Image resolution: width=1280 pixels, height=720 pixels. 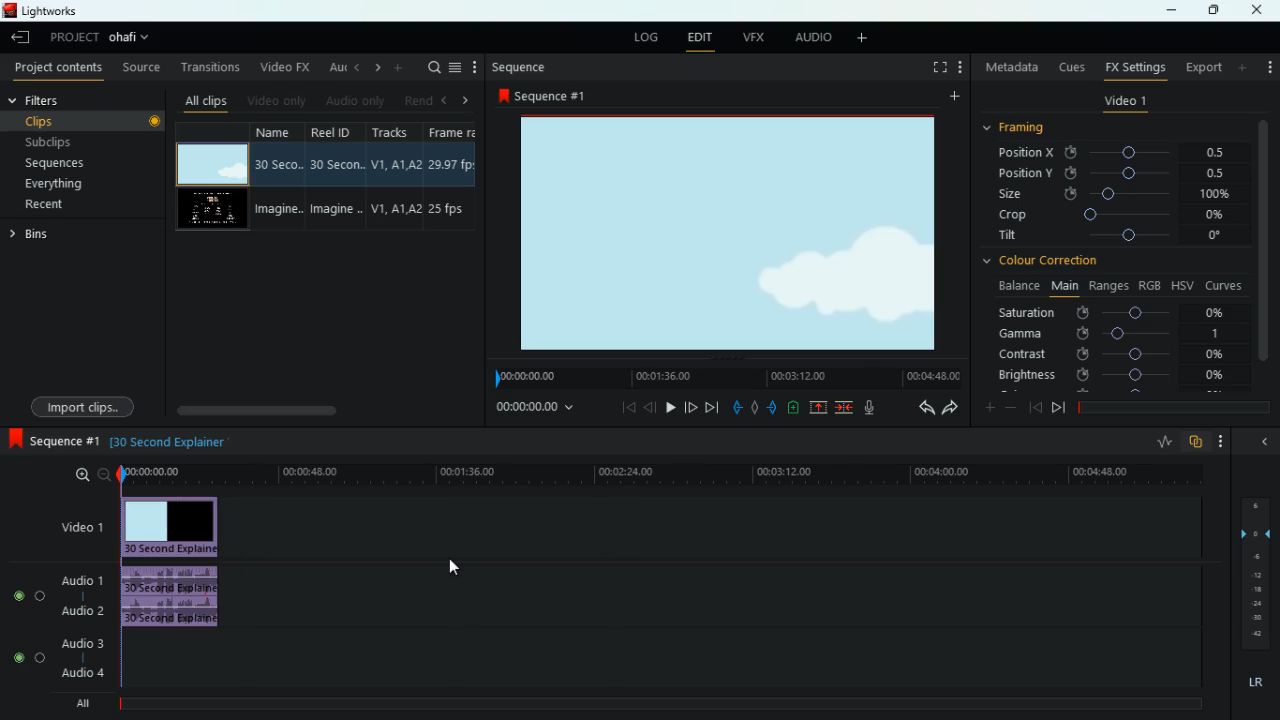 I want to click on beggining, so click(x=622, y=406).